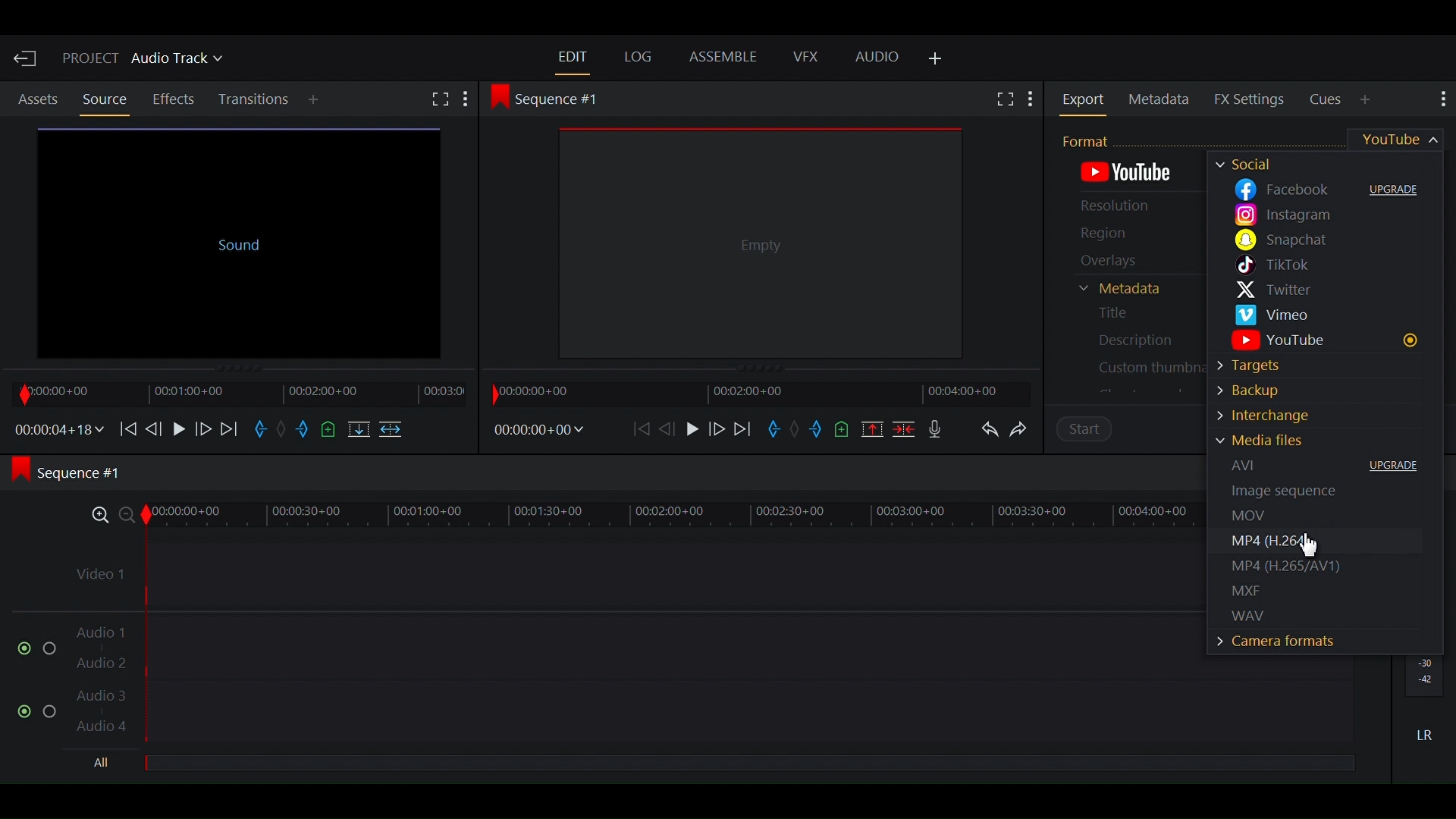  I want to click on Nudge one frame back, so click(671, 428).